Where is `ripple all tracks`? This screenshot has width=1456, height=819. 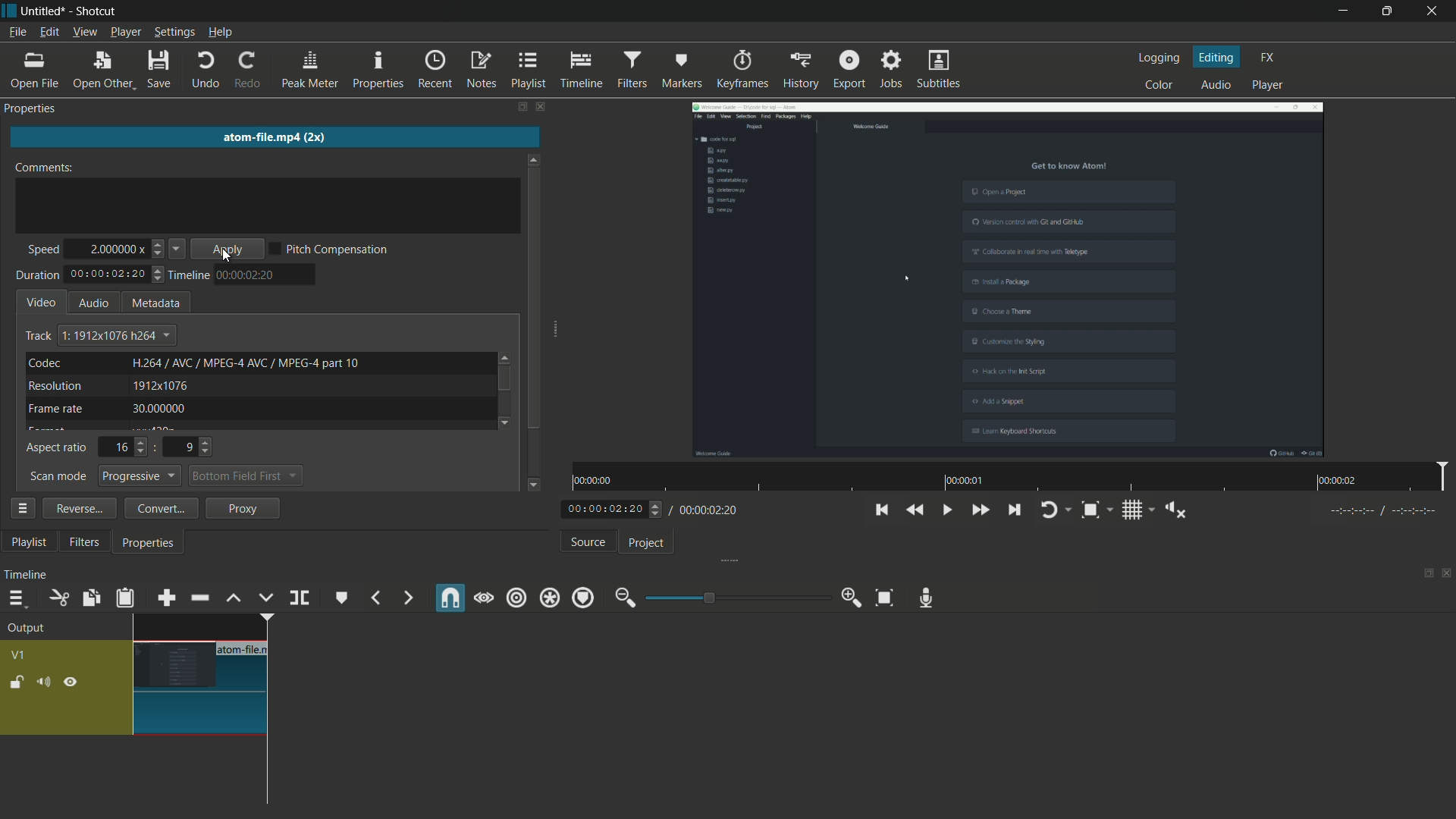 ripple all tracks is located at coordinates (549, 598).